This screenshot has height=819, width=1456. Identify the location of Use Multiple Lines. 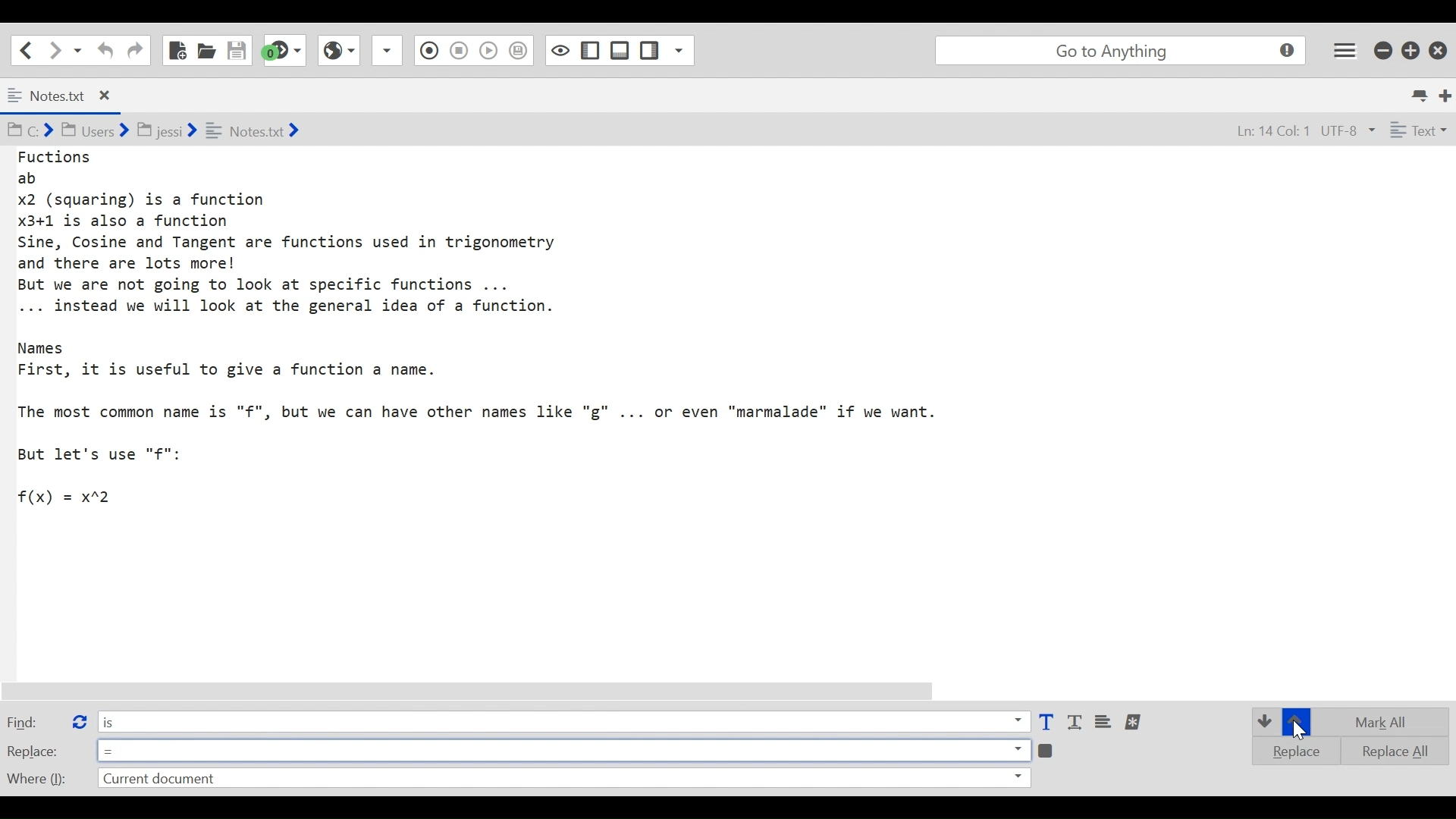
(1105, 723).